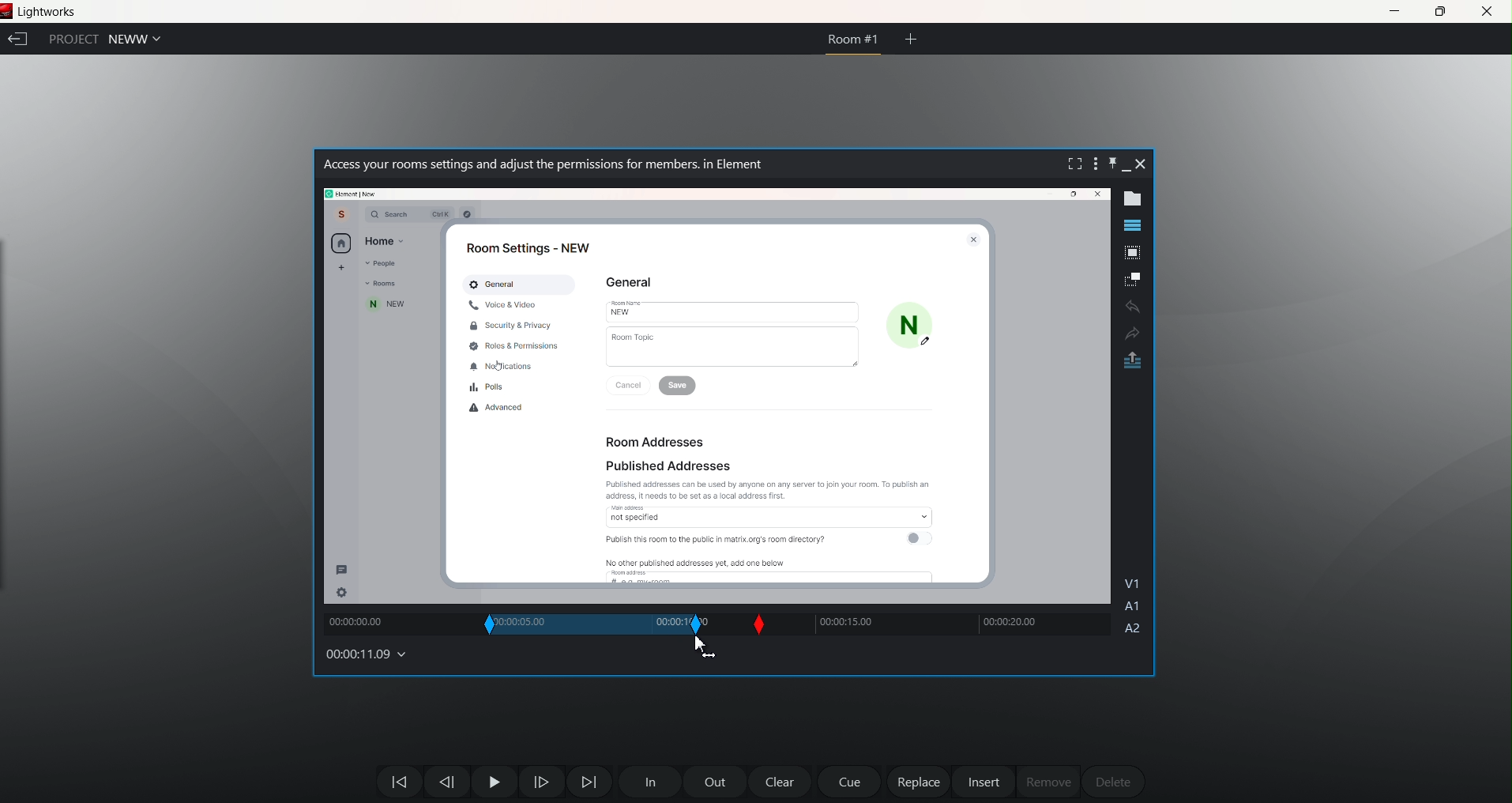 The width and height of the screenshot is (1512, 803). What do you see at coordinates (1134, 278) in the screenshot?
I see `make subclip` at bounding box center [1134, 278].